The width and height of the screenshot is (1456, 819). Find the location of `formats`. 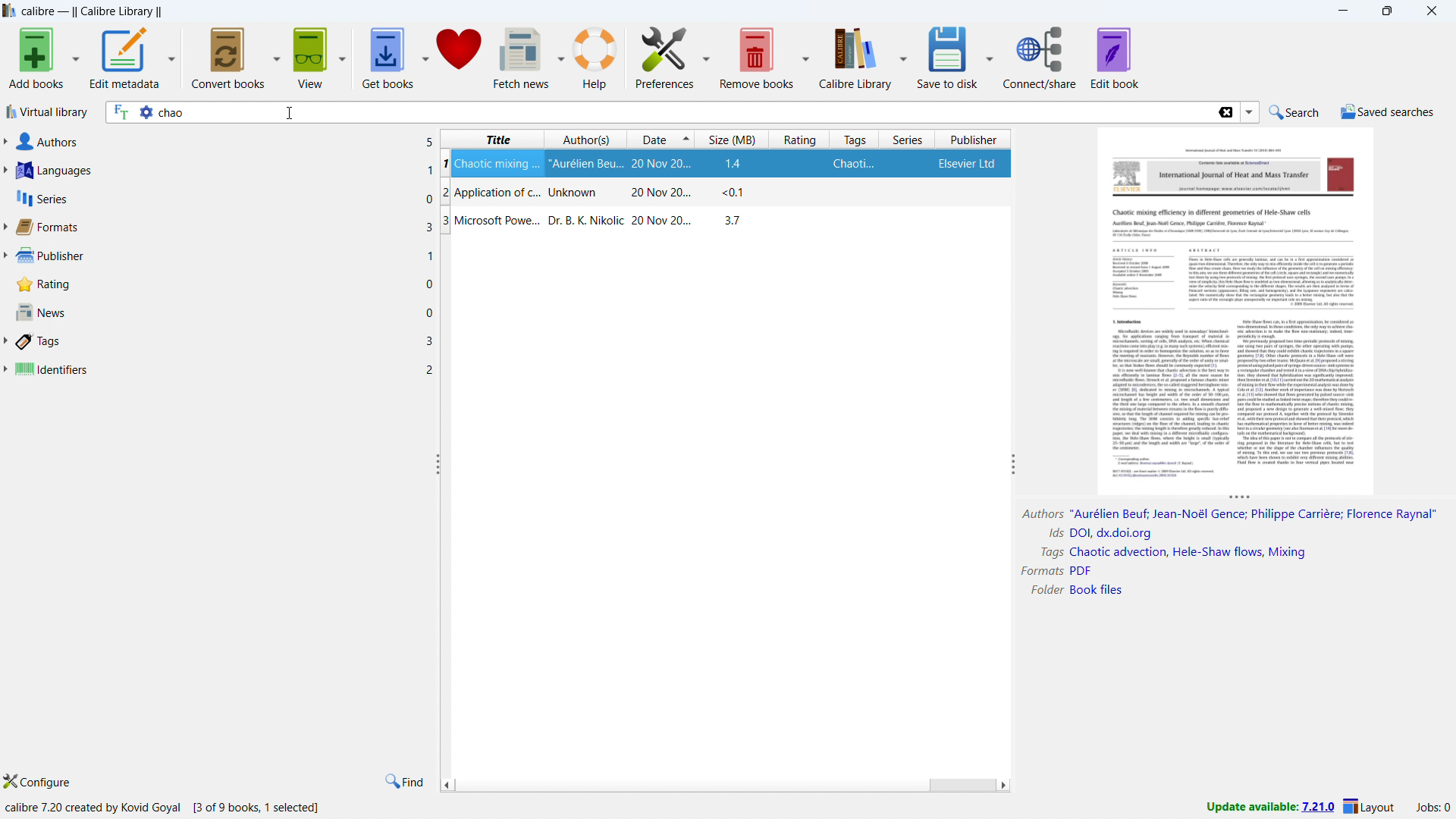

formats is located at coordinates (224, 227).